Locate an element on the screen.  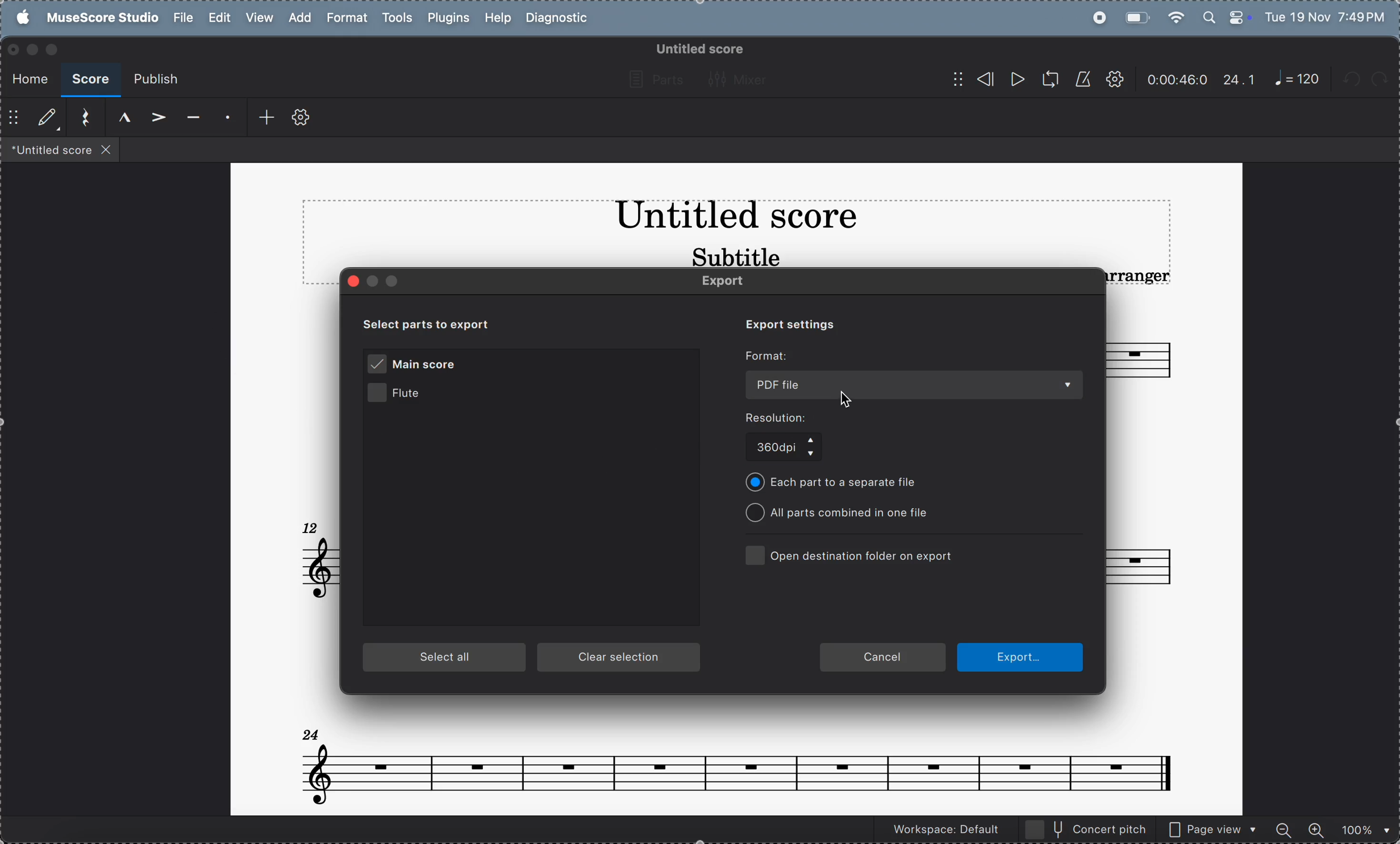
add is located at coordinates (298, 17).